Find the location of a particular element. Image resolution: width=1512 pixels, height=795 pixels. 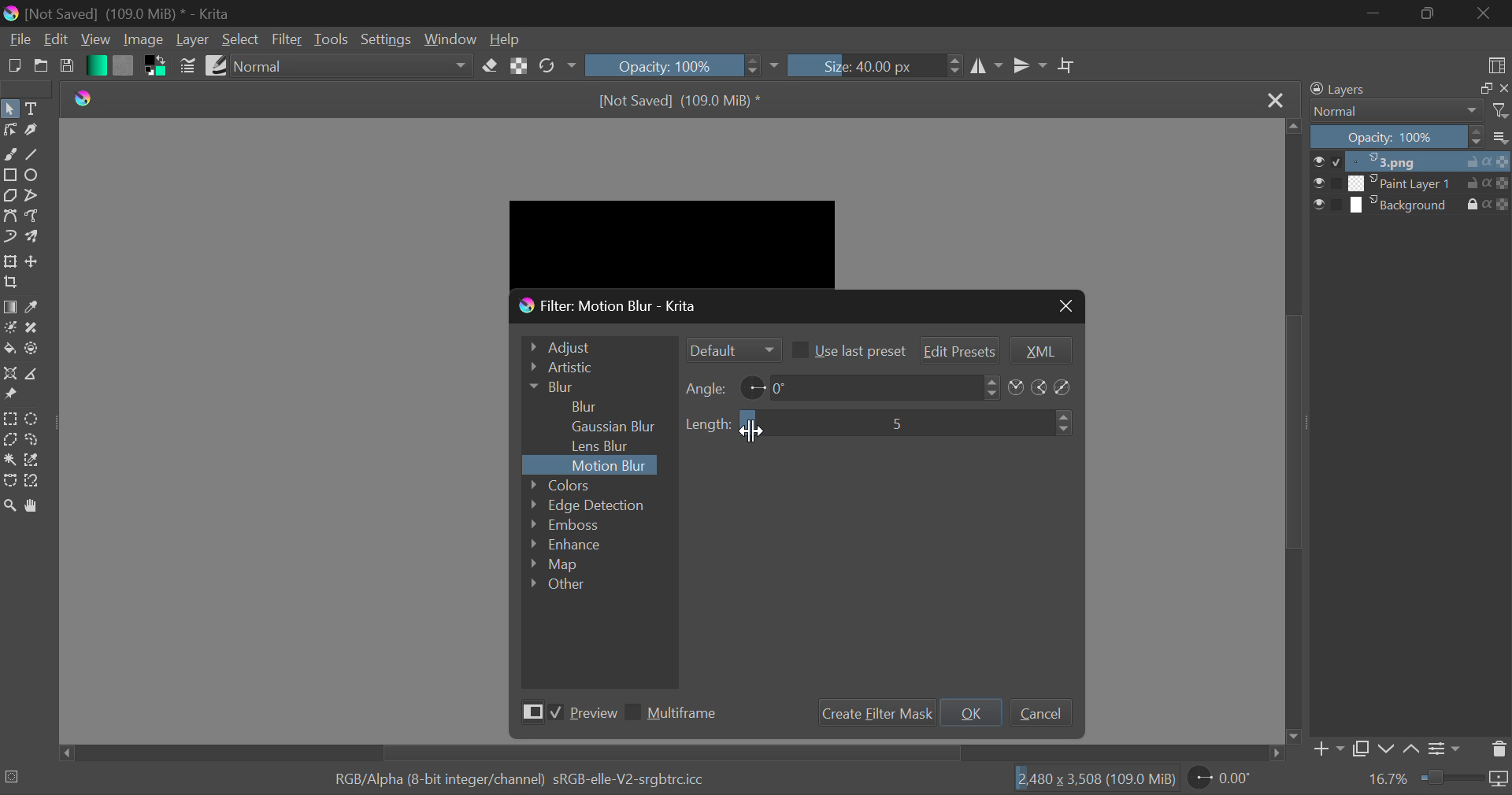

Crop is located at coordinates (1067, 66).